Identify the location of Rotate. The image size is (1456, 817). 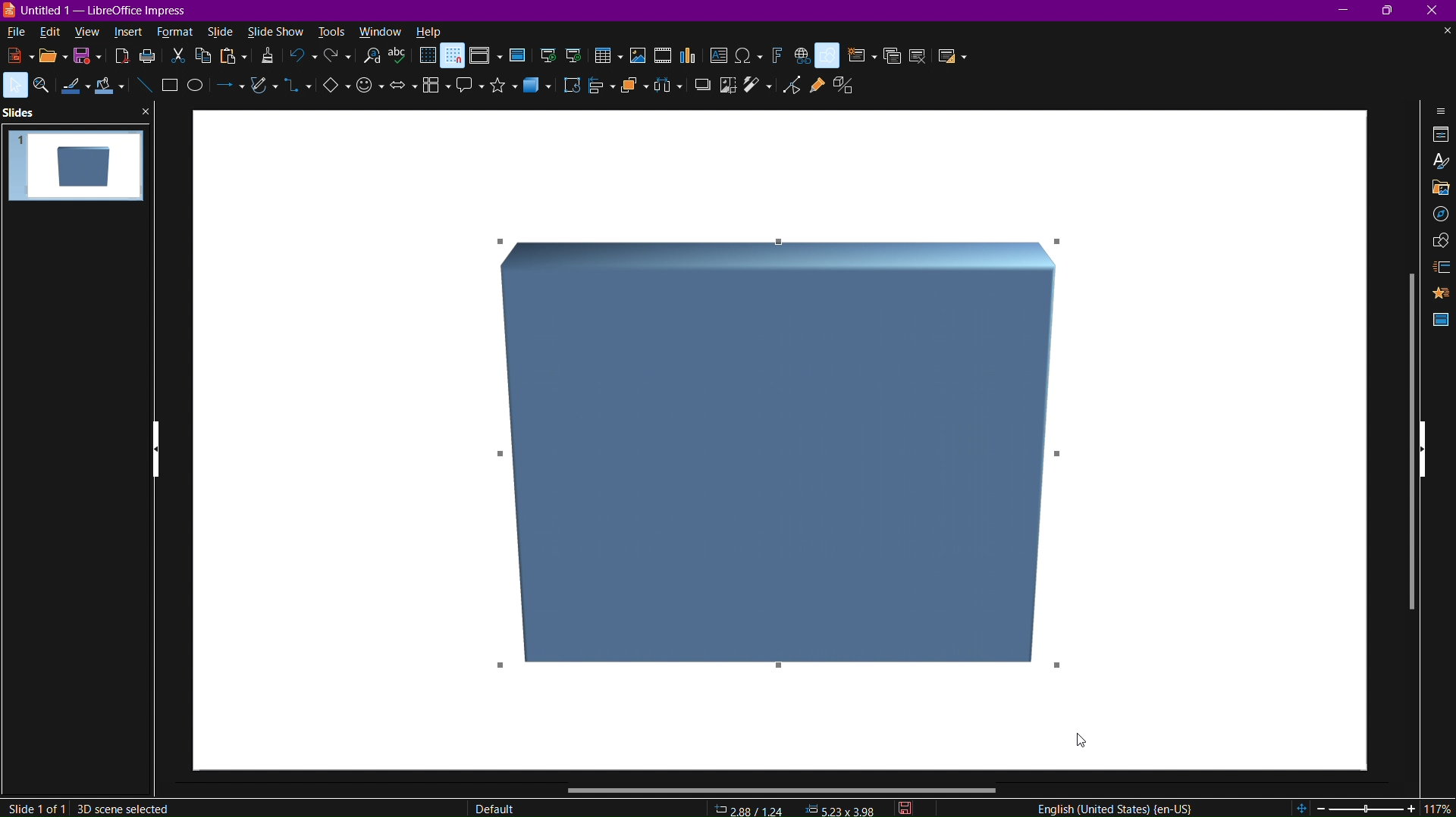
(573, 90).